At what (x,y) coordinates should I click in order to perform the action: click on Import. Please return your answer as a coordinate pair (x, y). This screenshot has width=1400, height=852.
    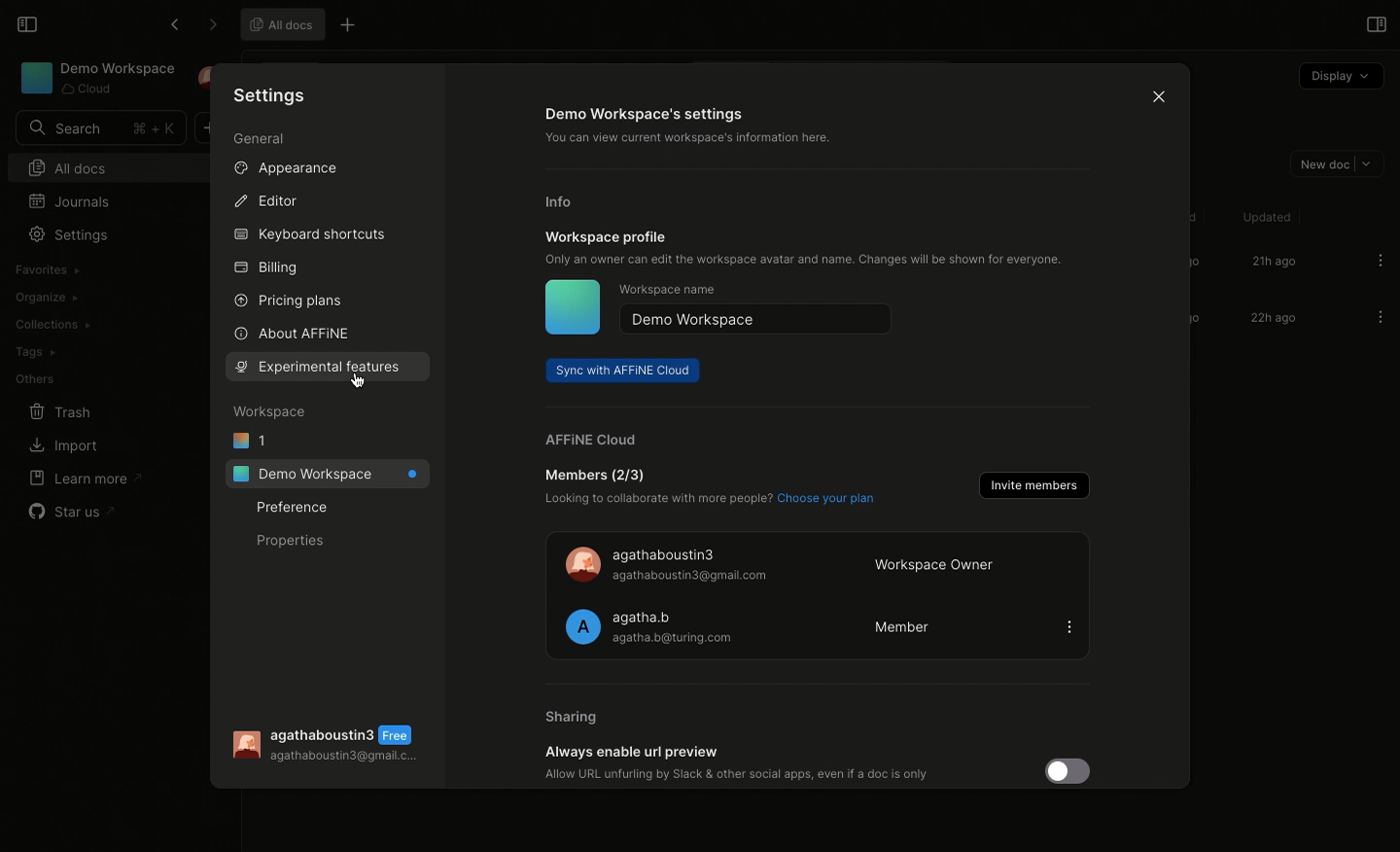
    Looking at the image, I should click on (61, 447).